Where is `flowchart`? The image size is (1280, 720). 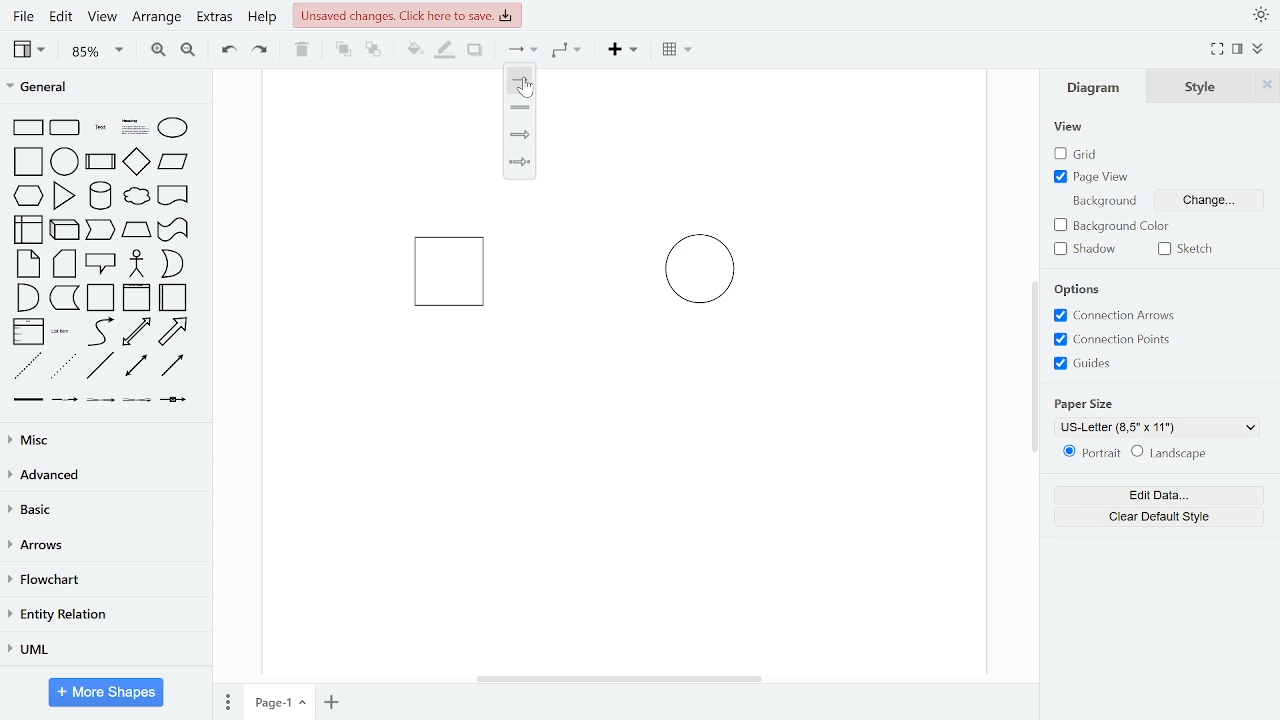 flowchart is located at coordinates (102, 581).